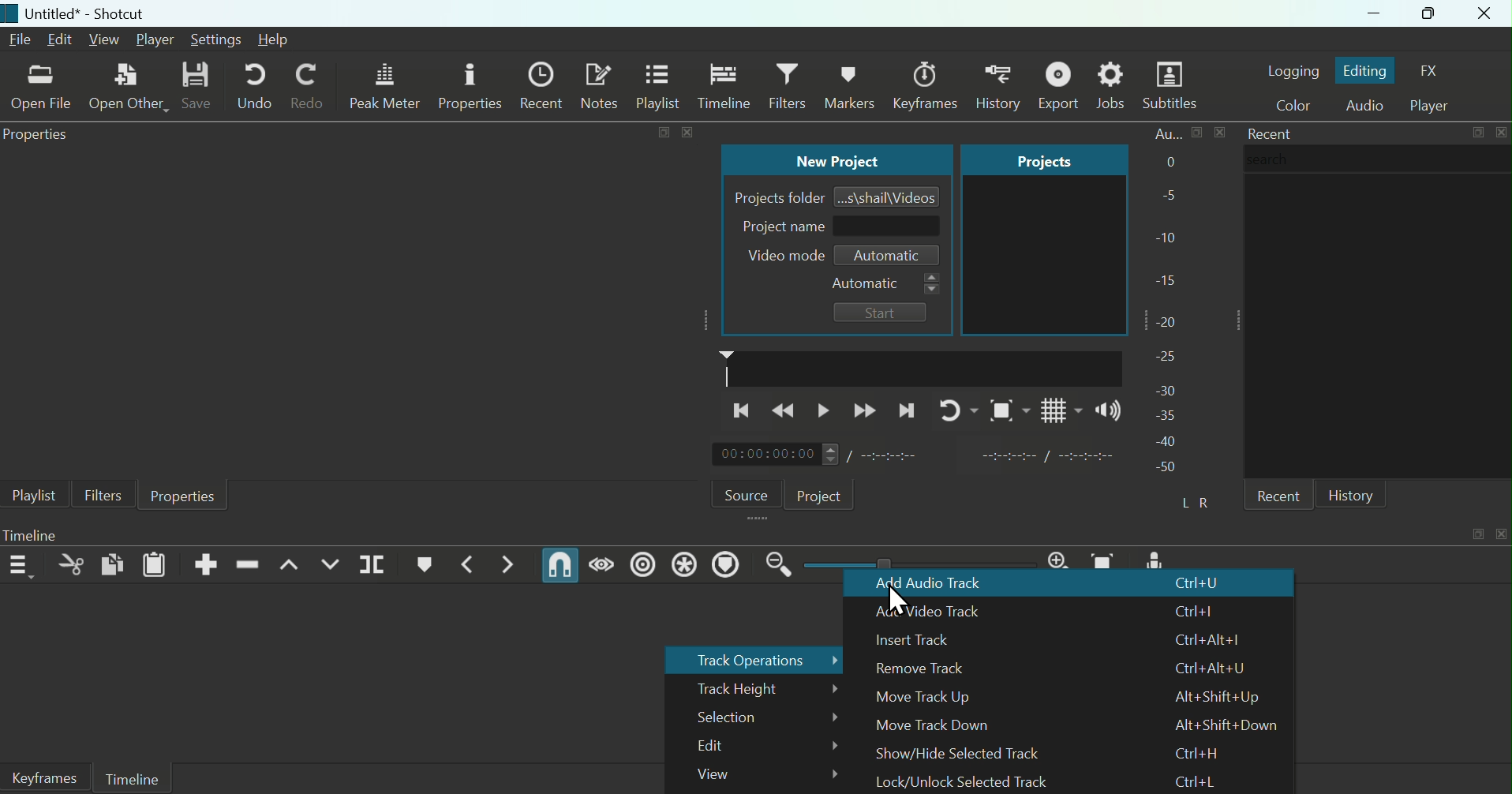  I want to click on Notes, so click(602, 86).